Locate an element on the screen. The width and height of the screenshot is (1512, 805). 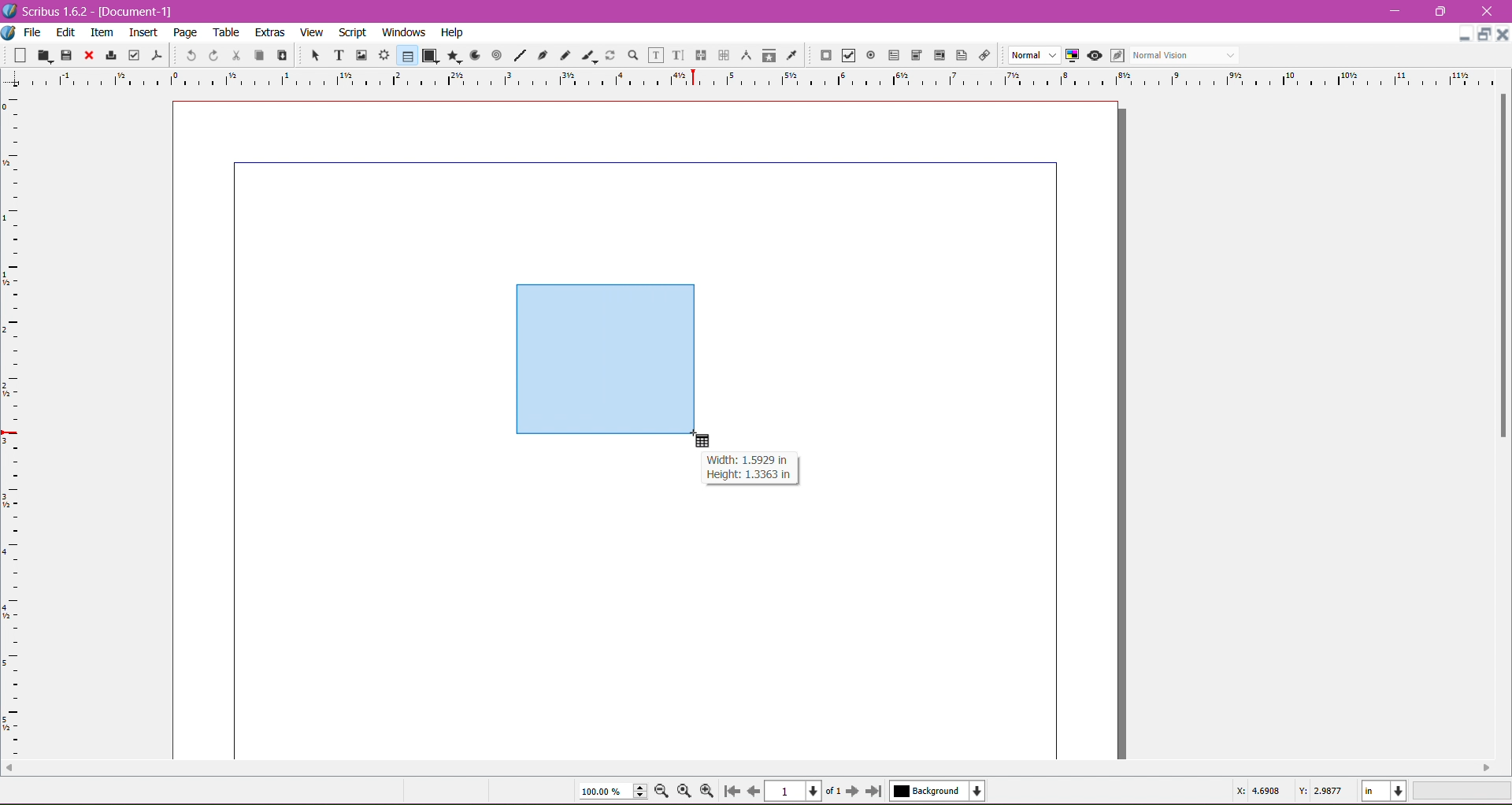
Checkbox is located at coordinates (847, 57).